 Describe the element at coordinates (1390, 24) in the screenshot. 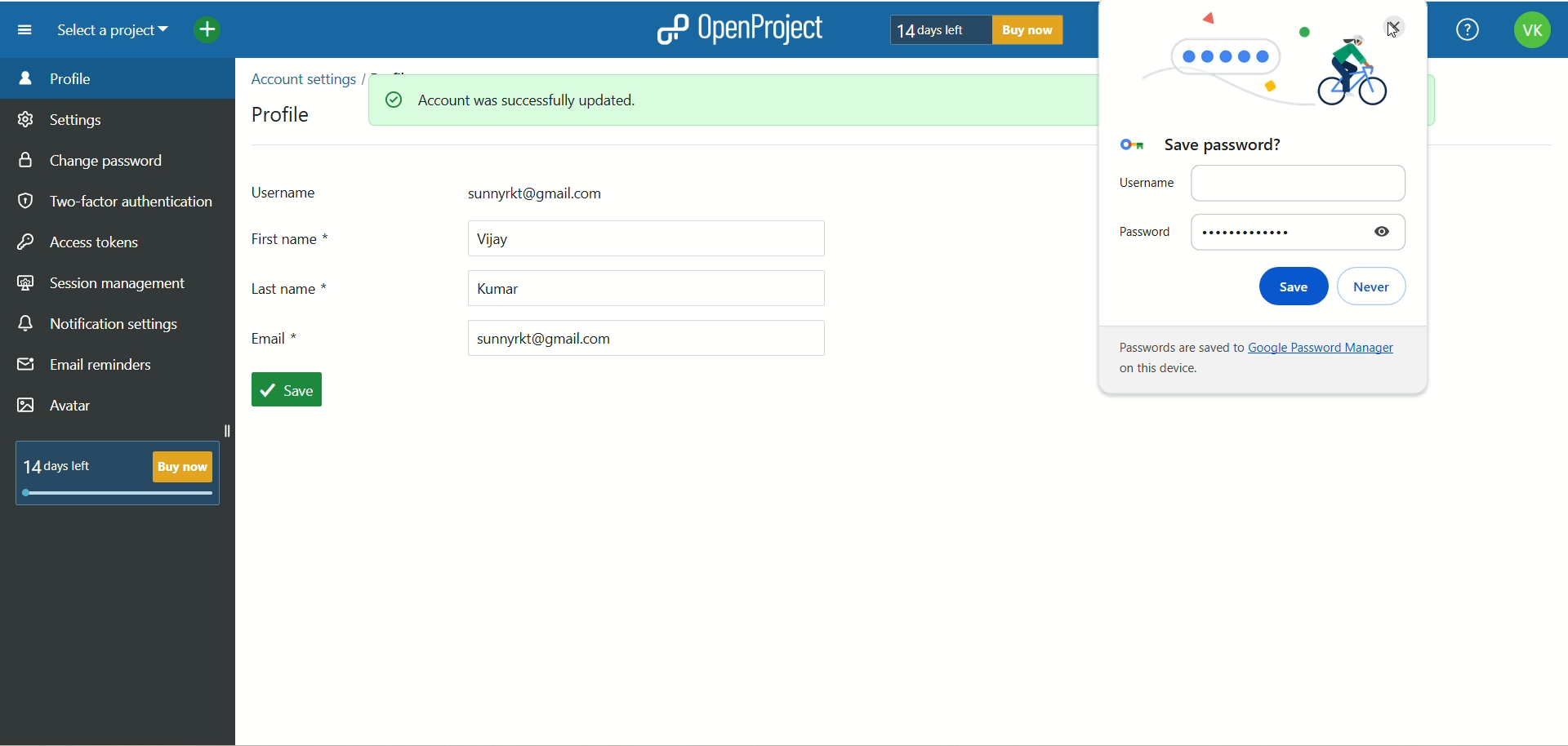

I see `close` at that location.